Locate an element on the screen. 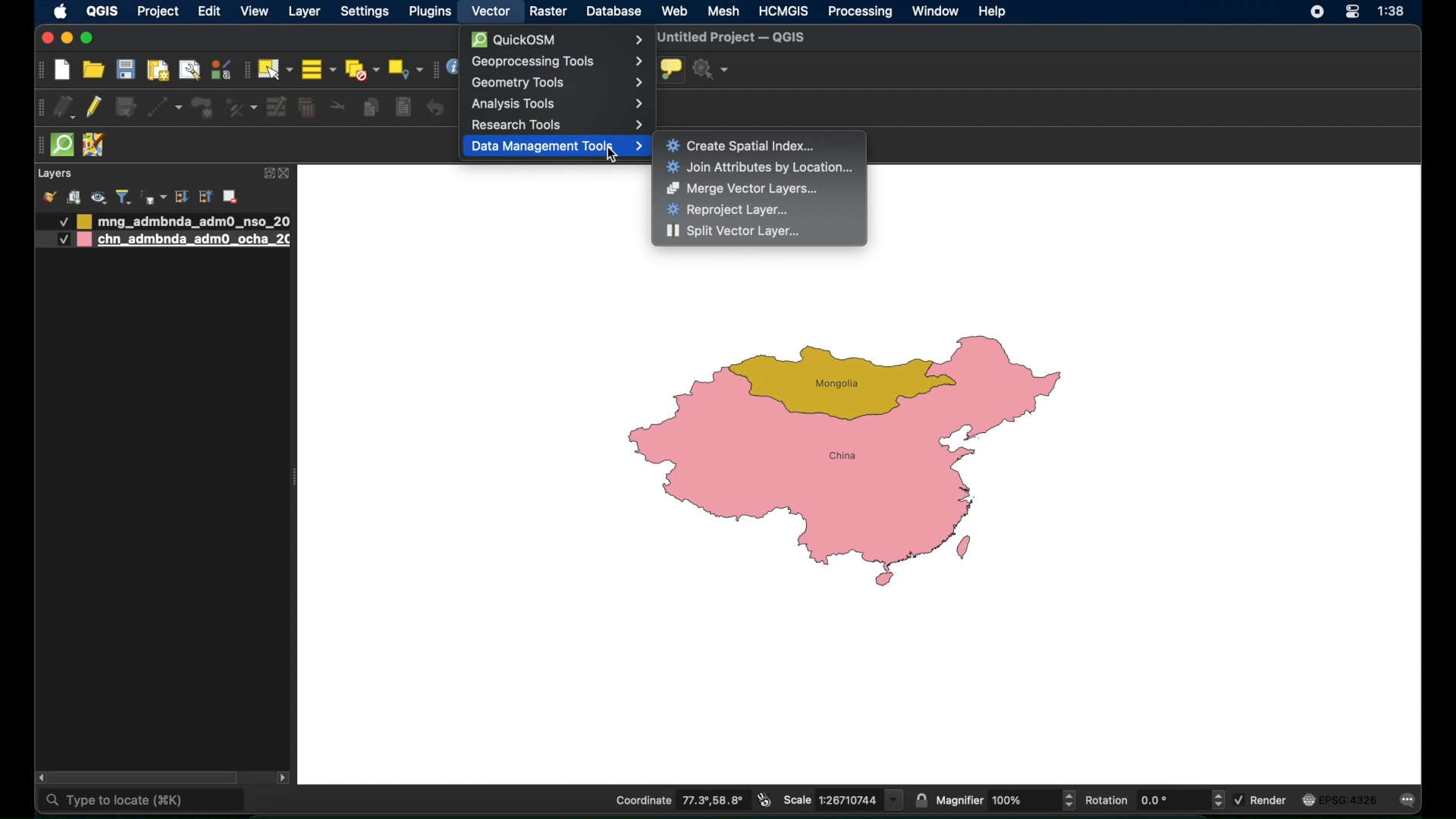 The image size is (1456, 819). undo is located at coordinates (435, 108).